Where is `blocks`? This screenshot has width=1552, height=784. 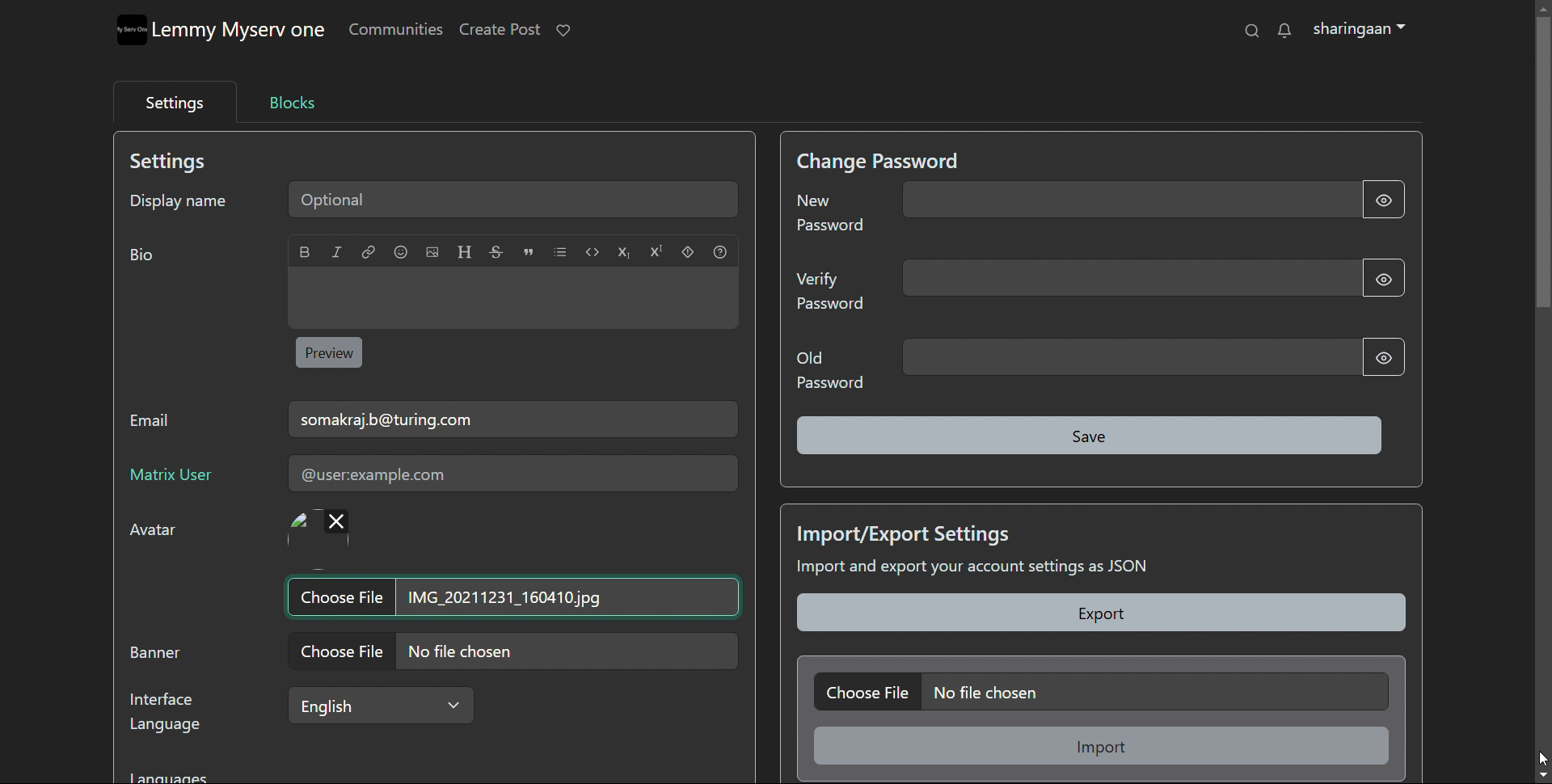
blocks is located at coordinates (293, 102).